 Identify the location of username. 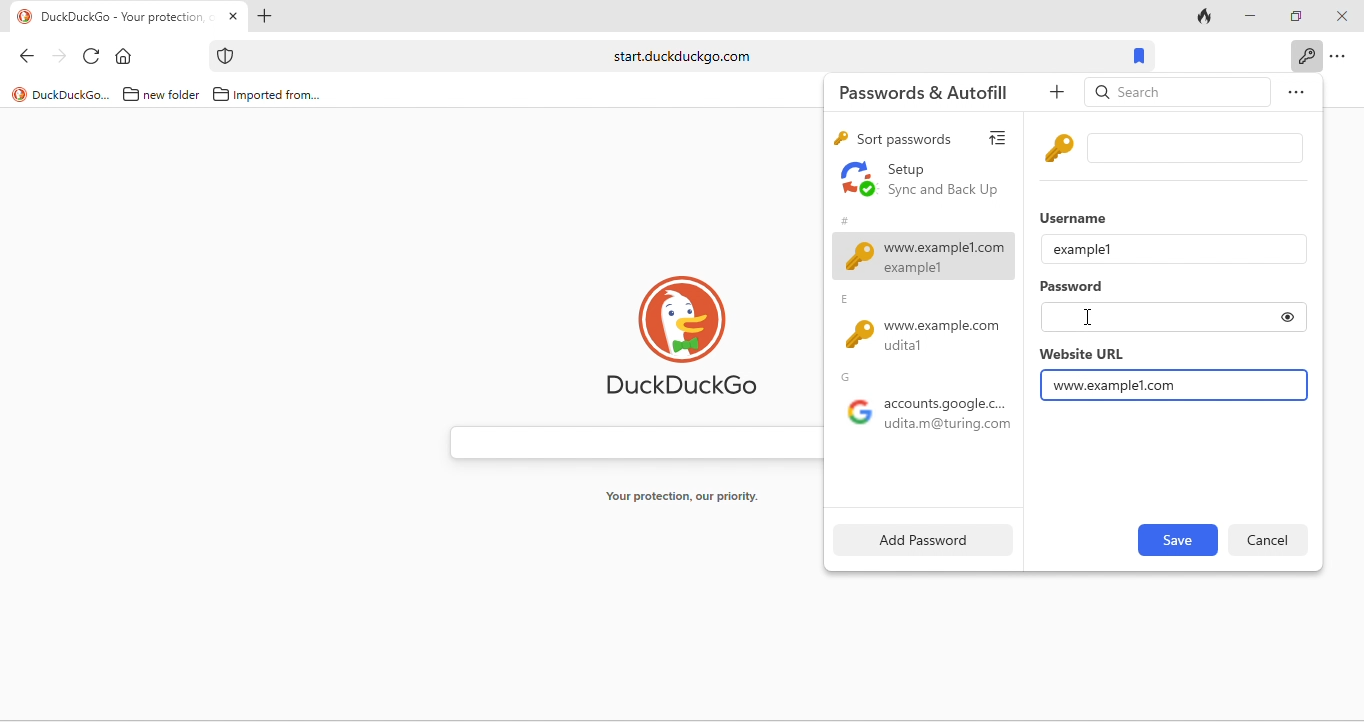
(1078, 216).